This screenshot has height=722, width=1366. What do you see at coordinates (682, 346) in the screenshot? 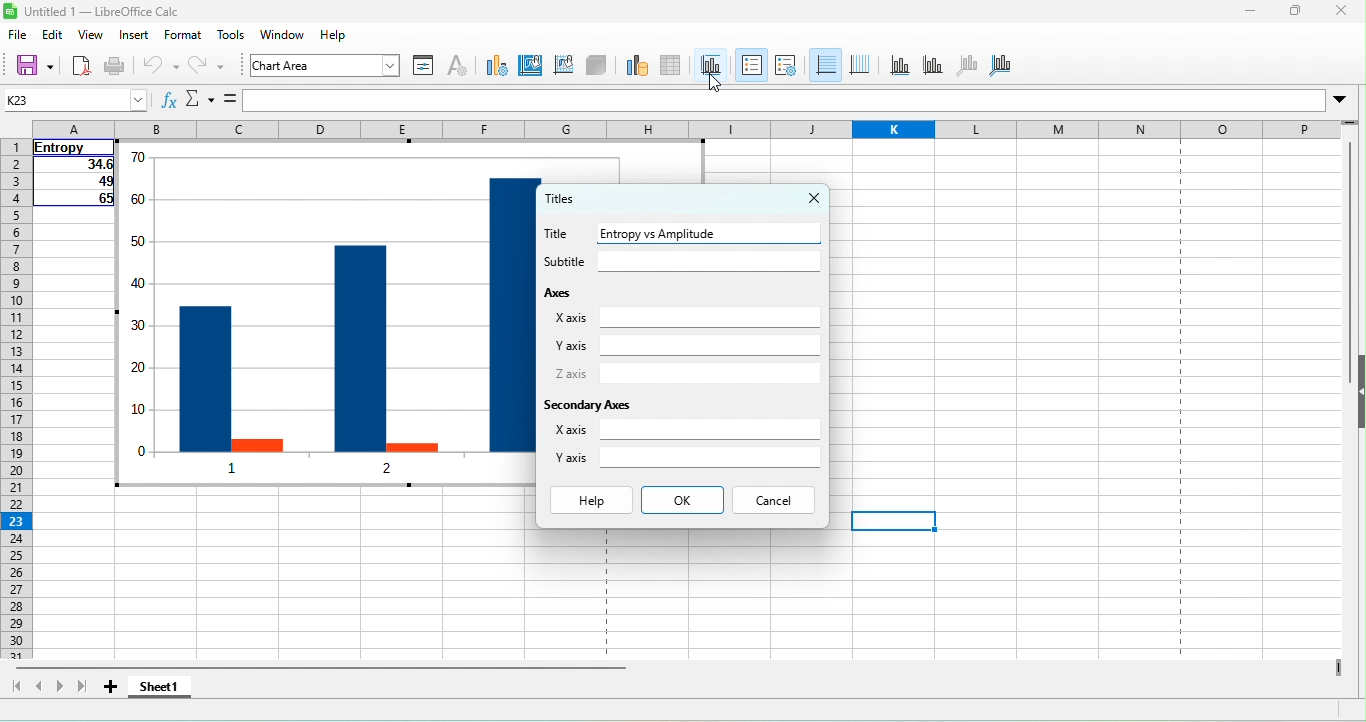
I see `y axis` at bounding box center [682, 346].